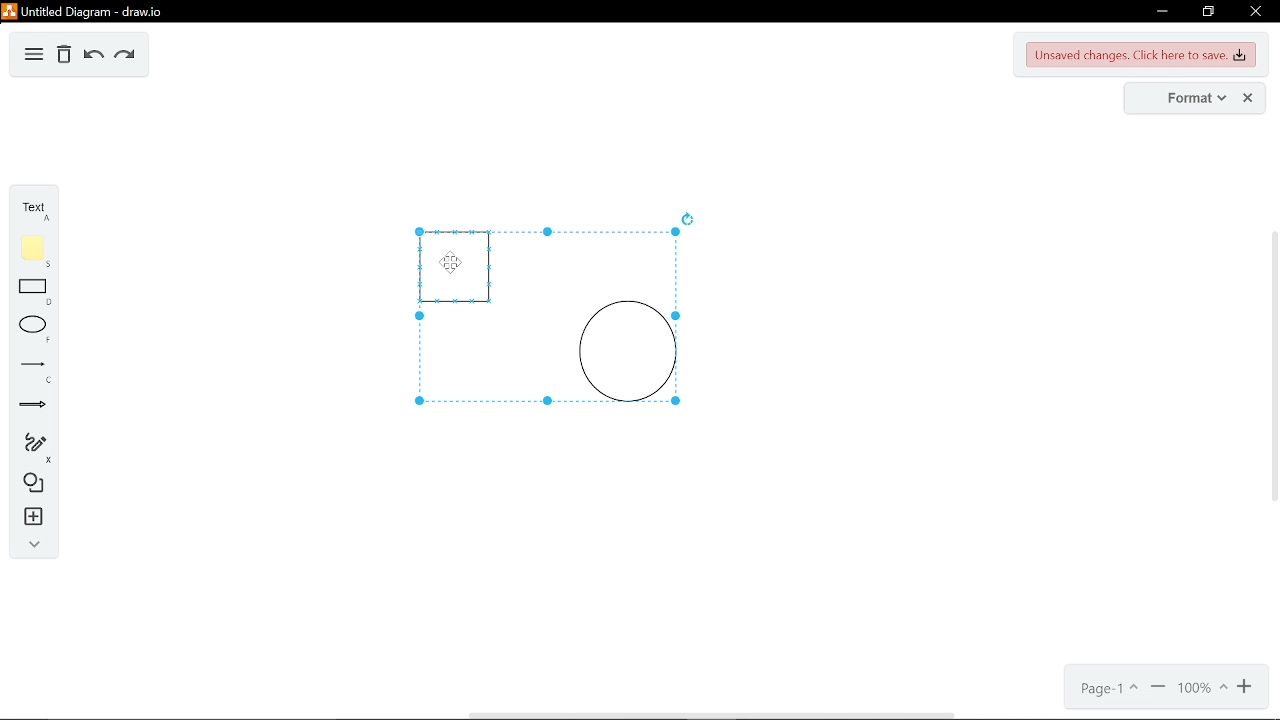 Image resolution: width=1280 pixels, height=720 pixels. I want to click on Unsaved changes. Click here to save, so click(1142, 56).